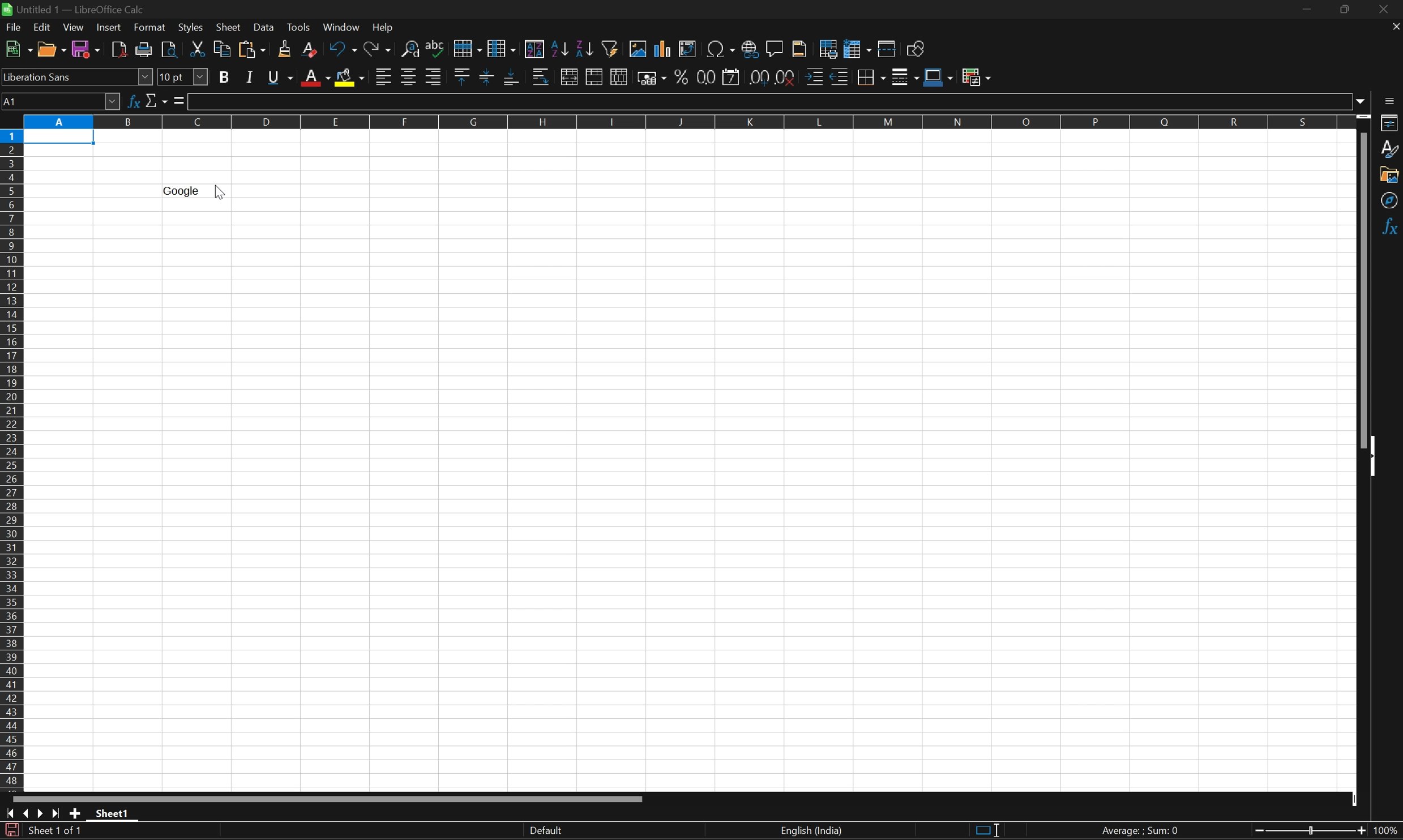  I want to click on Navigator, so click(1391, 201).